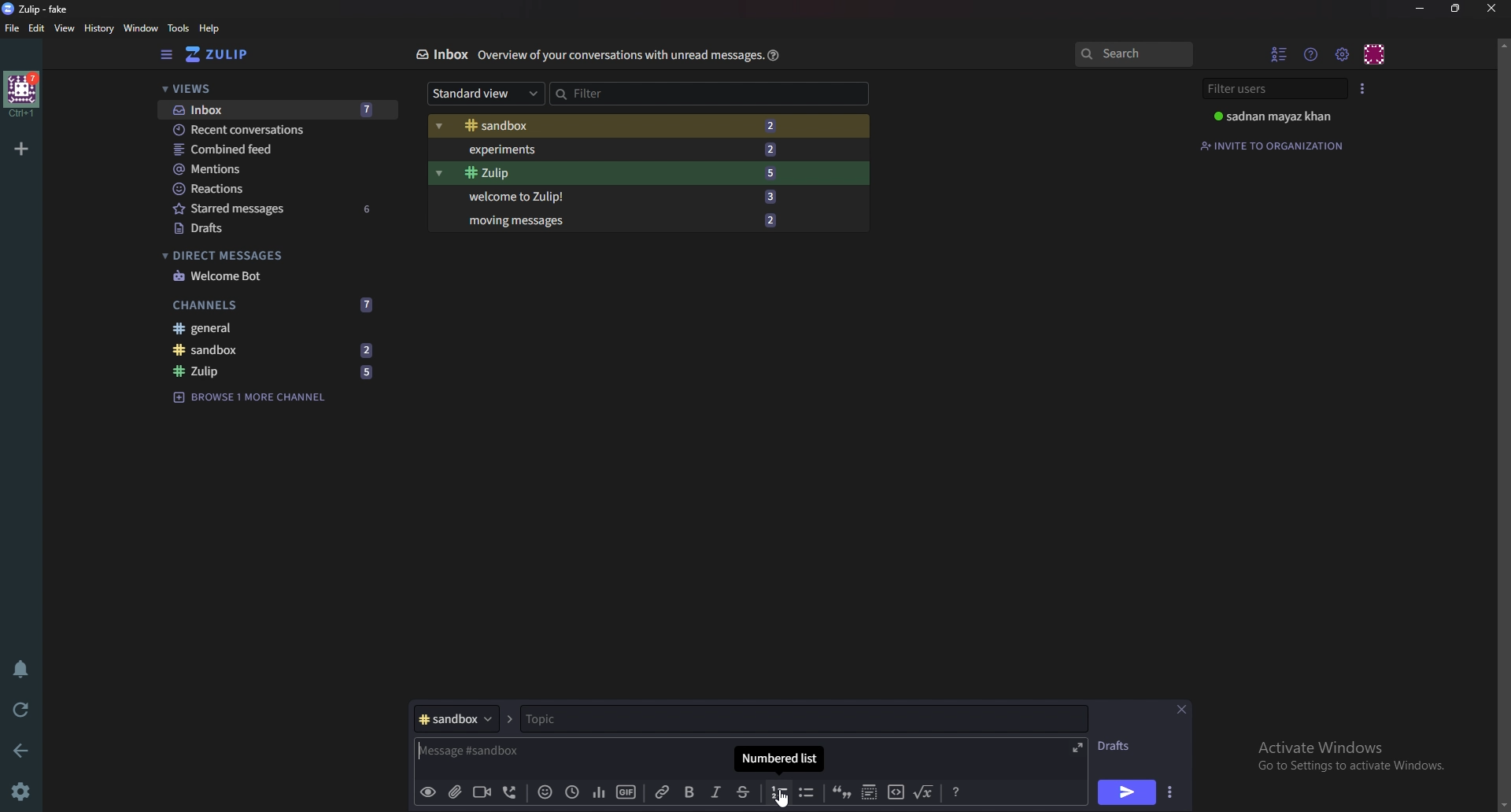  I want to click on Minimize, so click(1421, 8).